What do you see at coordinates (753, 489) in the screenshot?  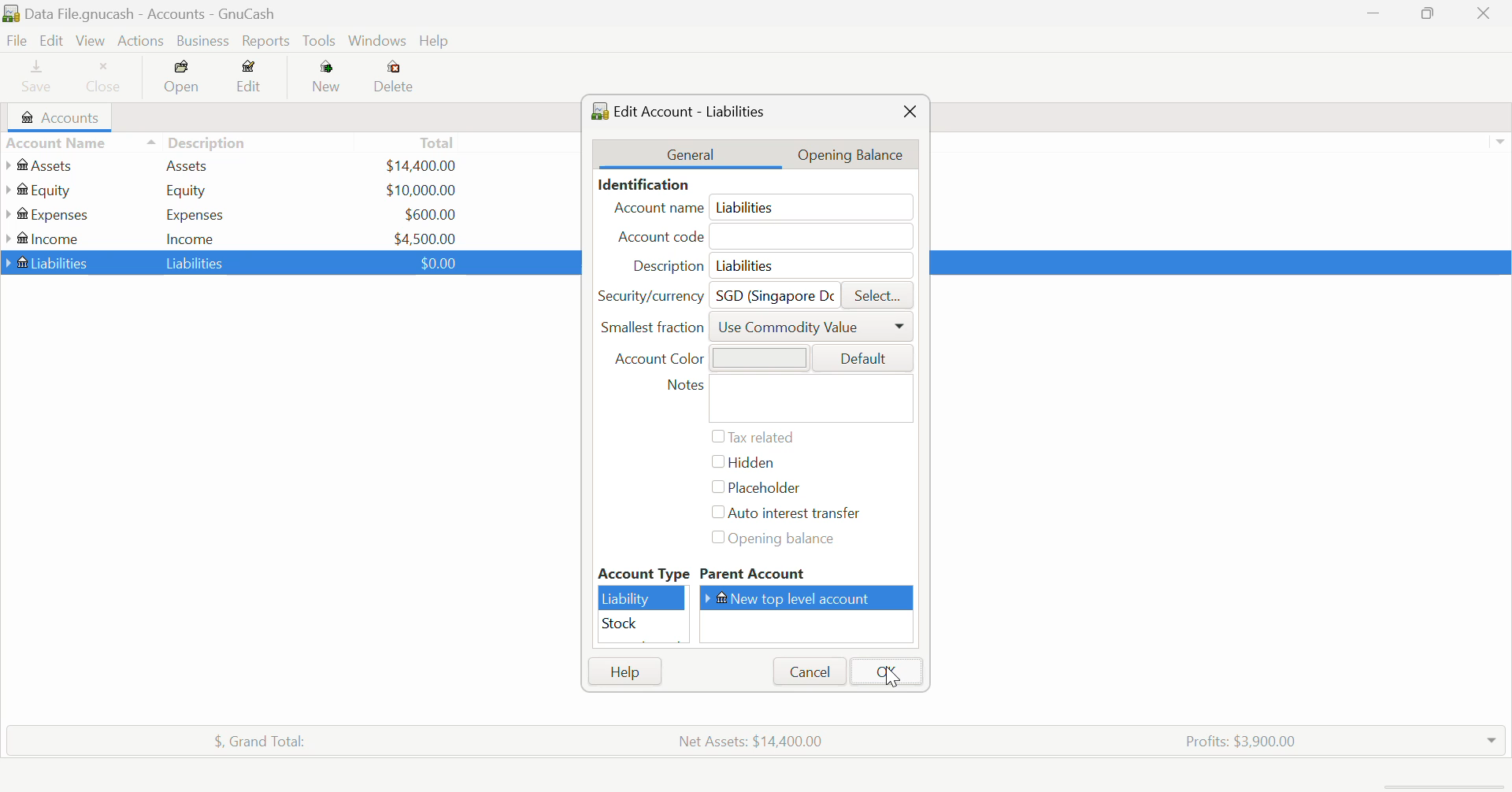 I see `Placeholder Checkbox` at bounding box center [753, 489].